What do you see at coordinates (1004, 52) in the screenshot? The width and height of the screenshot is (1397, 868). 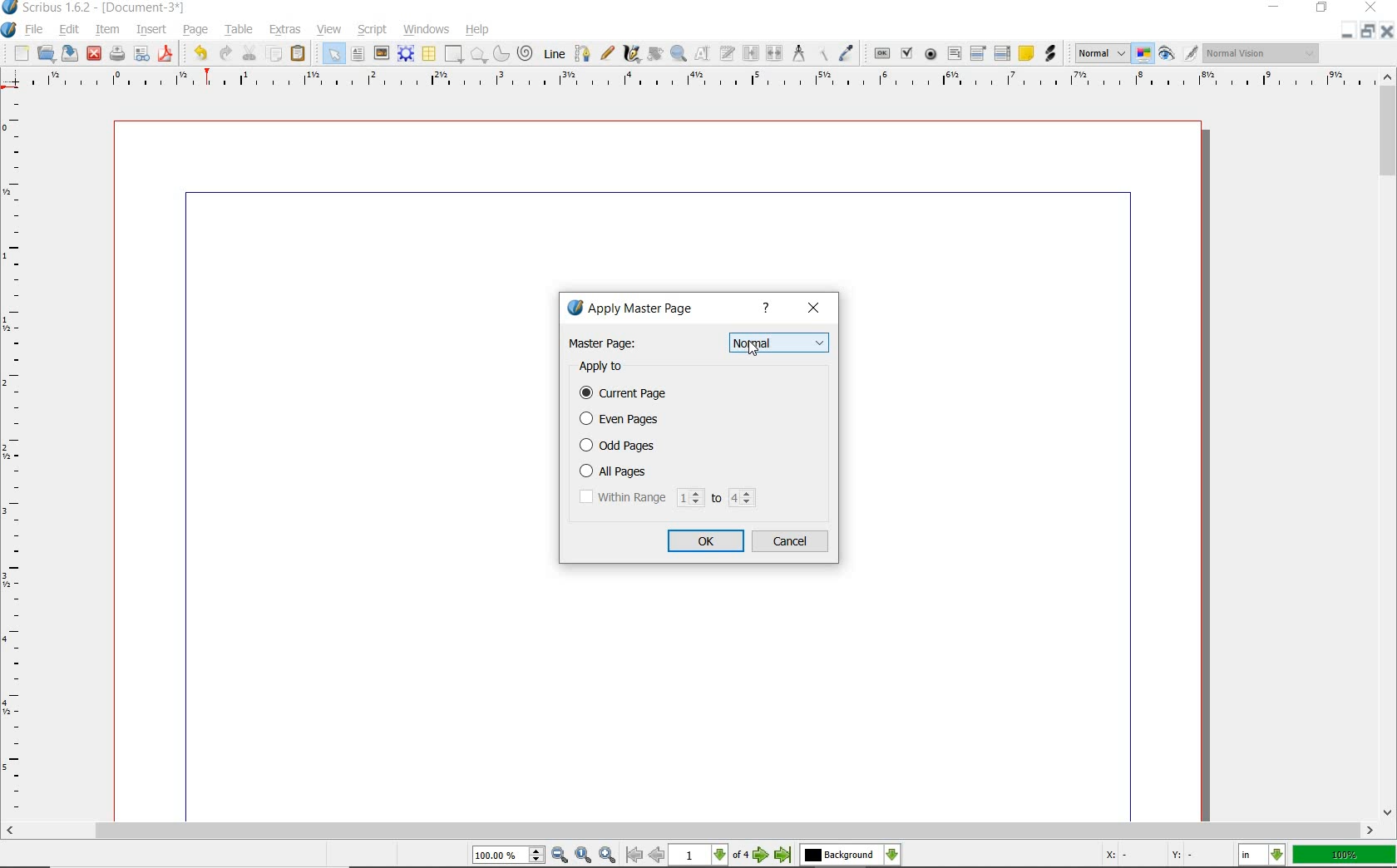 I see `pdf list box` at bounding box center [1004, 52].